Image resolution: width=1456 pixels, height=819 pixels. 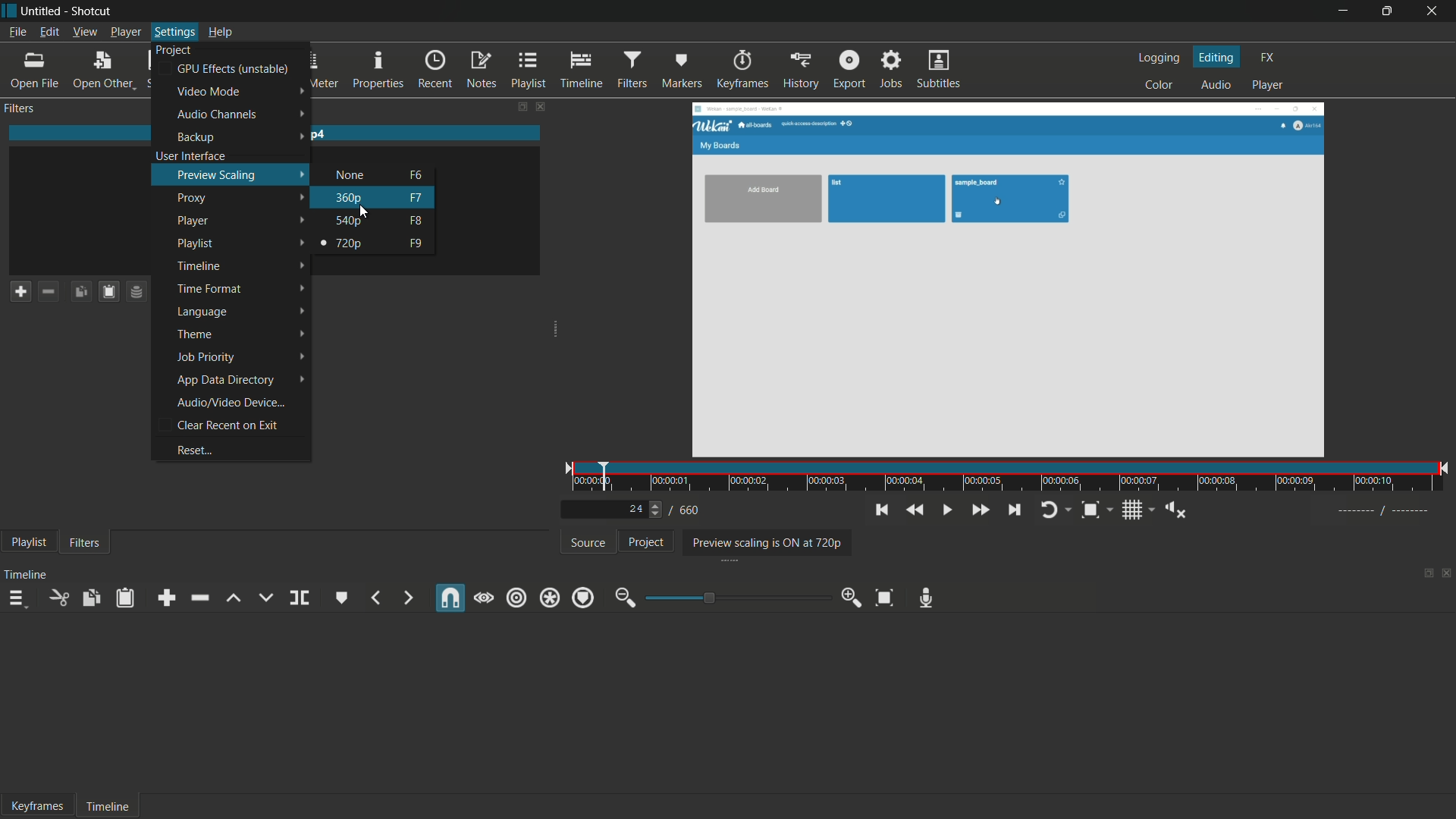 What do you see at coordinates (193, 450) in the screenshot?
I see `reset` at bounding box center [193, 450].